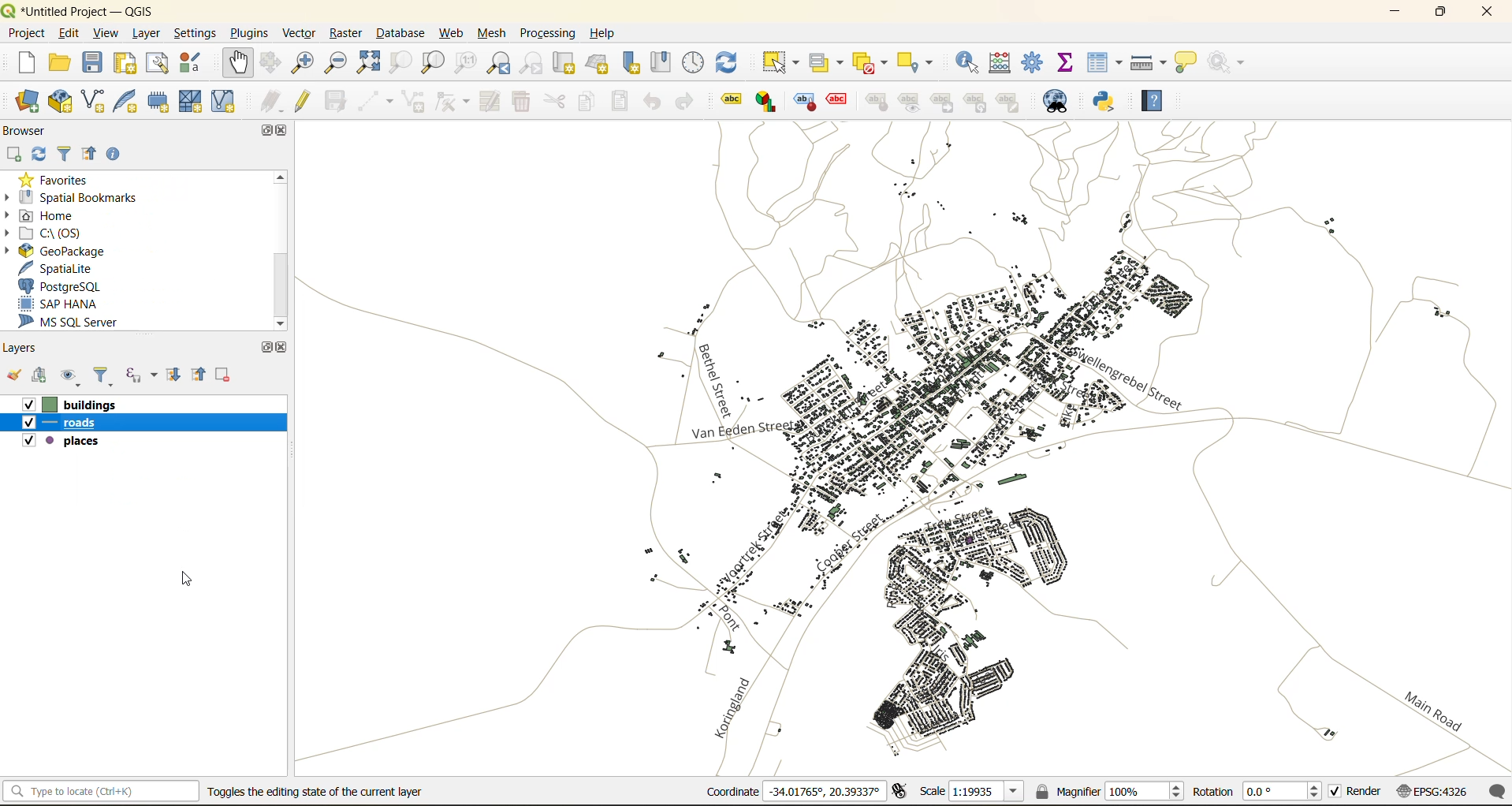  Describe the element at coordinates (533, 63) in the screenshot. I see `zoom next` at that location.